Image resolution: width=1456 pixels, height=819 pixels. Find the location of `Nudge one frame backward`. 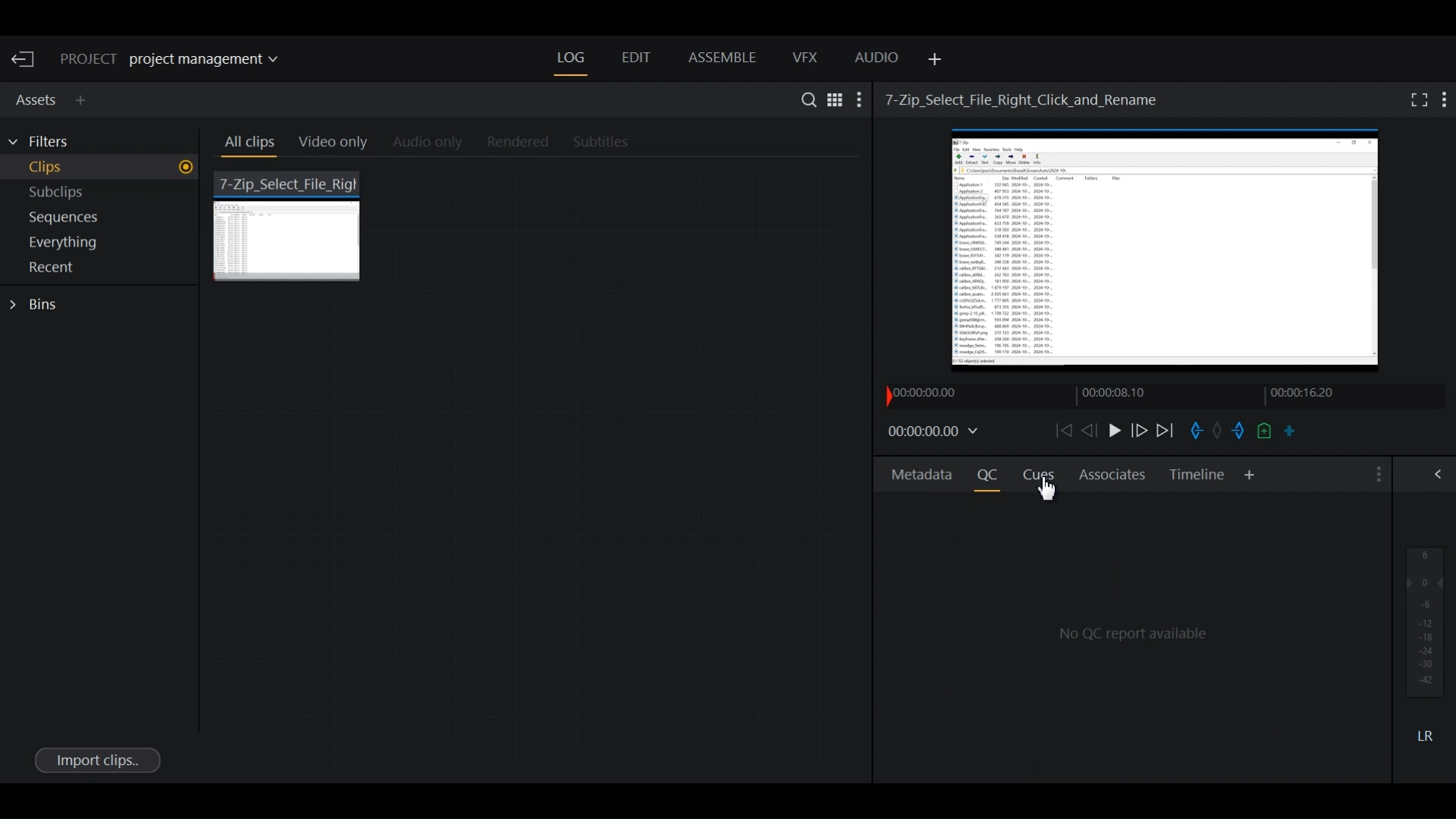

Nudge one frame backward is located at coordinates (1088, 431).